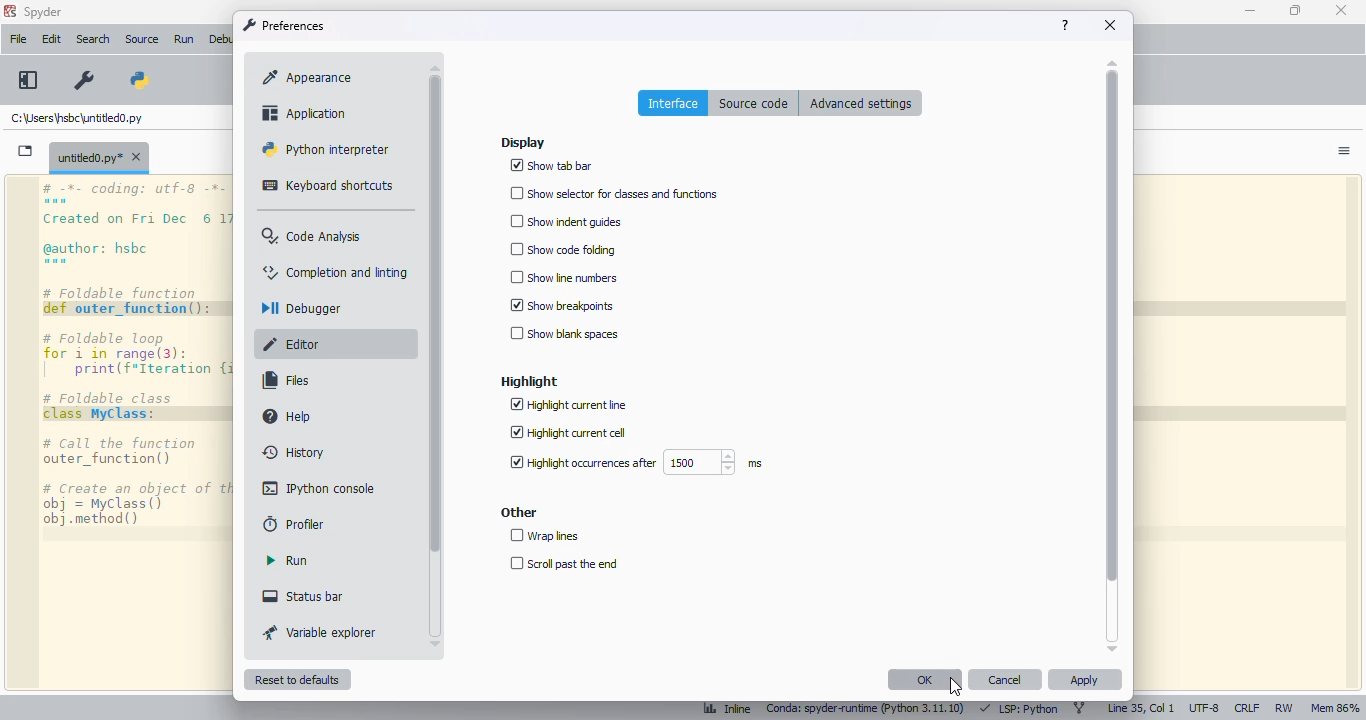 The image size is (1366, 720). What do you see at coordinates (93, 39) in the screenshot?
I see `search` at bounding box center [93, 39].